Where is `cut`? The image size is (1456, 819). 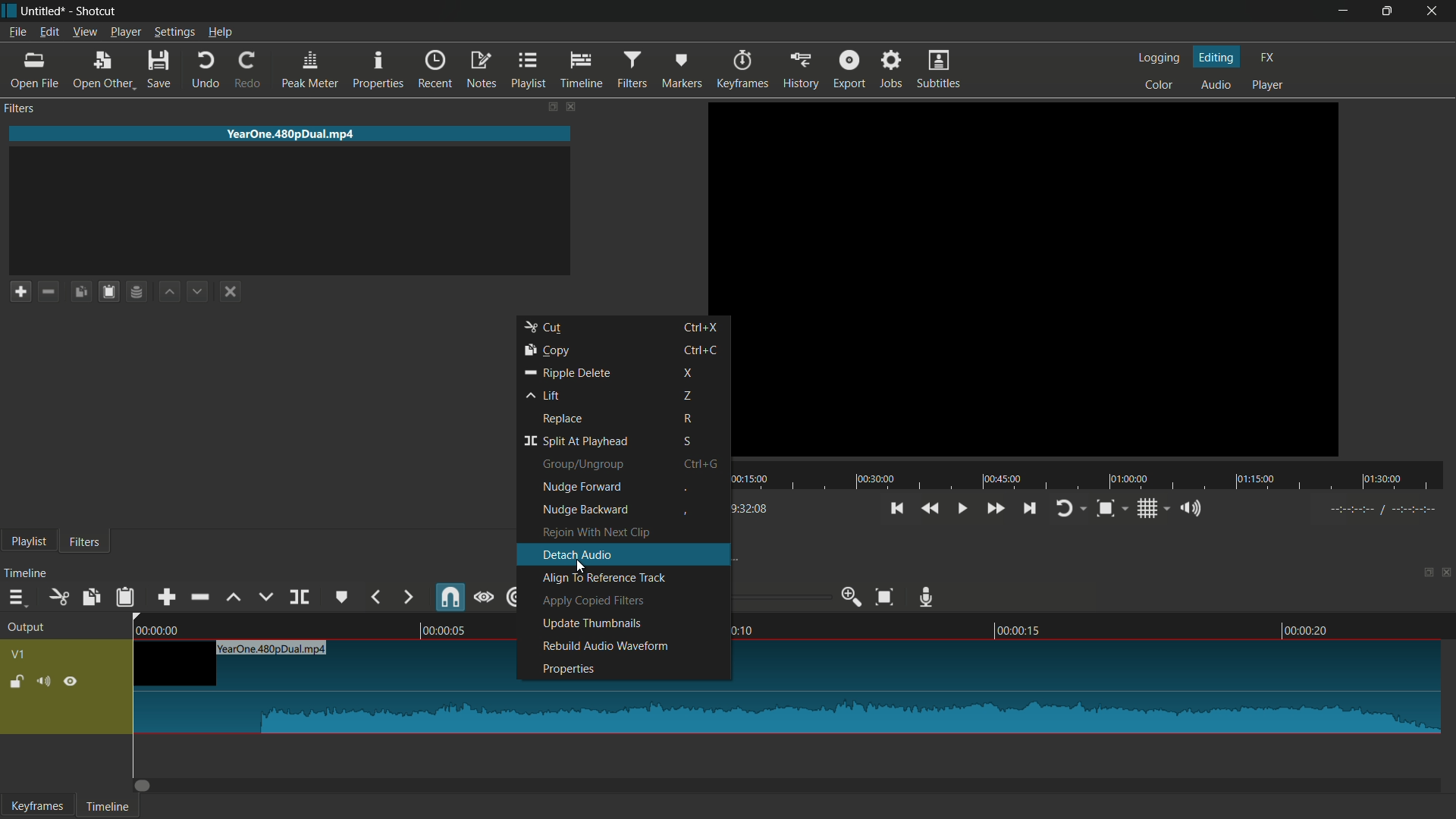
cut is located at coordinates (548, 328).